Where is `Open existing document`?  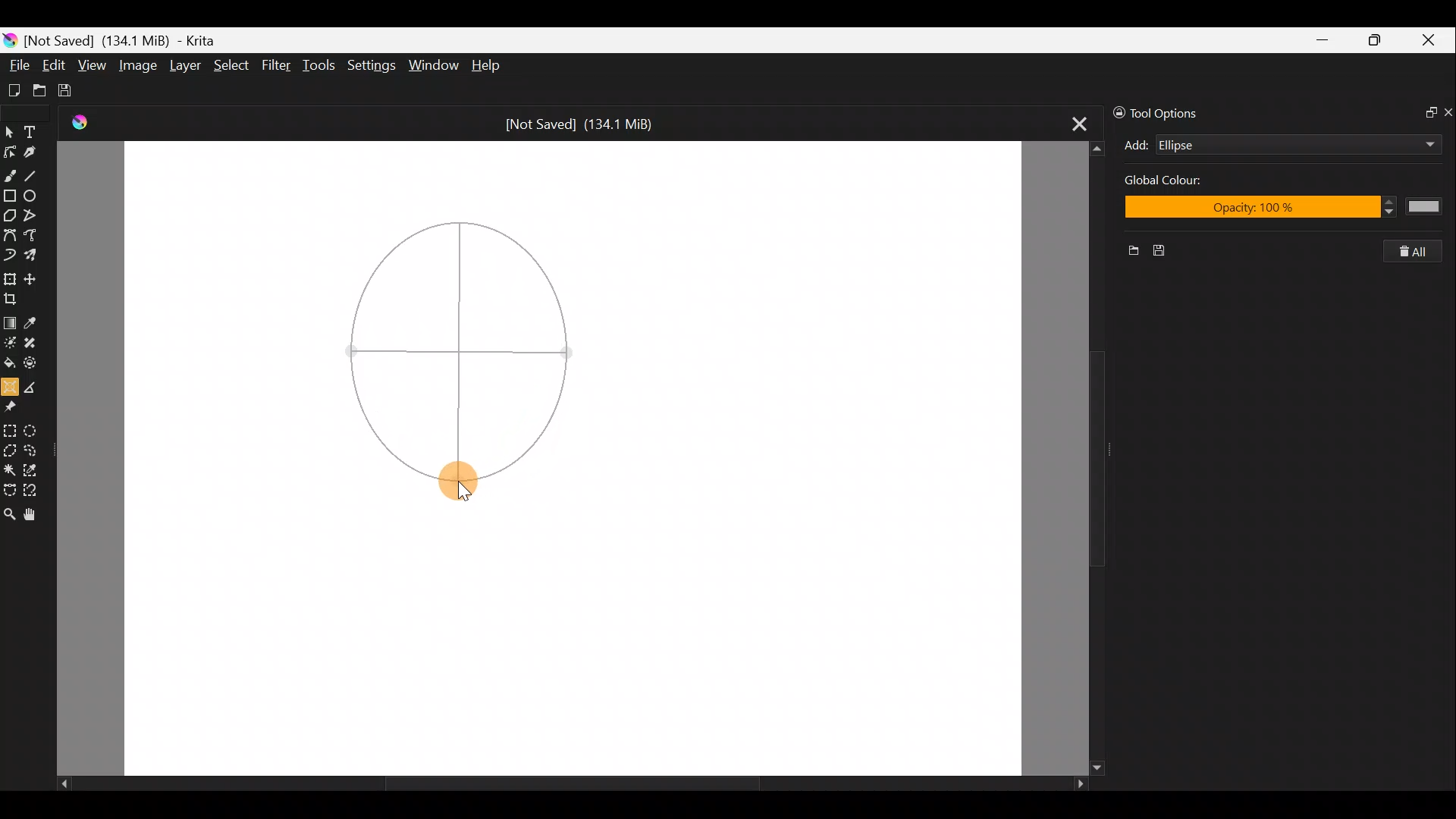 Open existing document is located at coordinates (37, 89).